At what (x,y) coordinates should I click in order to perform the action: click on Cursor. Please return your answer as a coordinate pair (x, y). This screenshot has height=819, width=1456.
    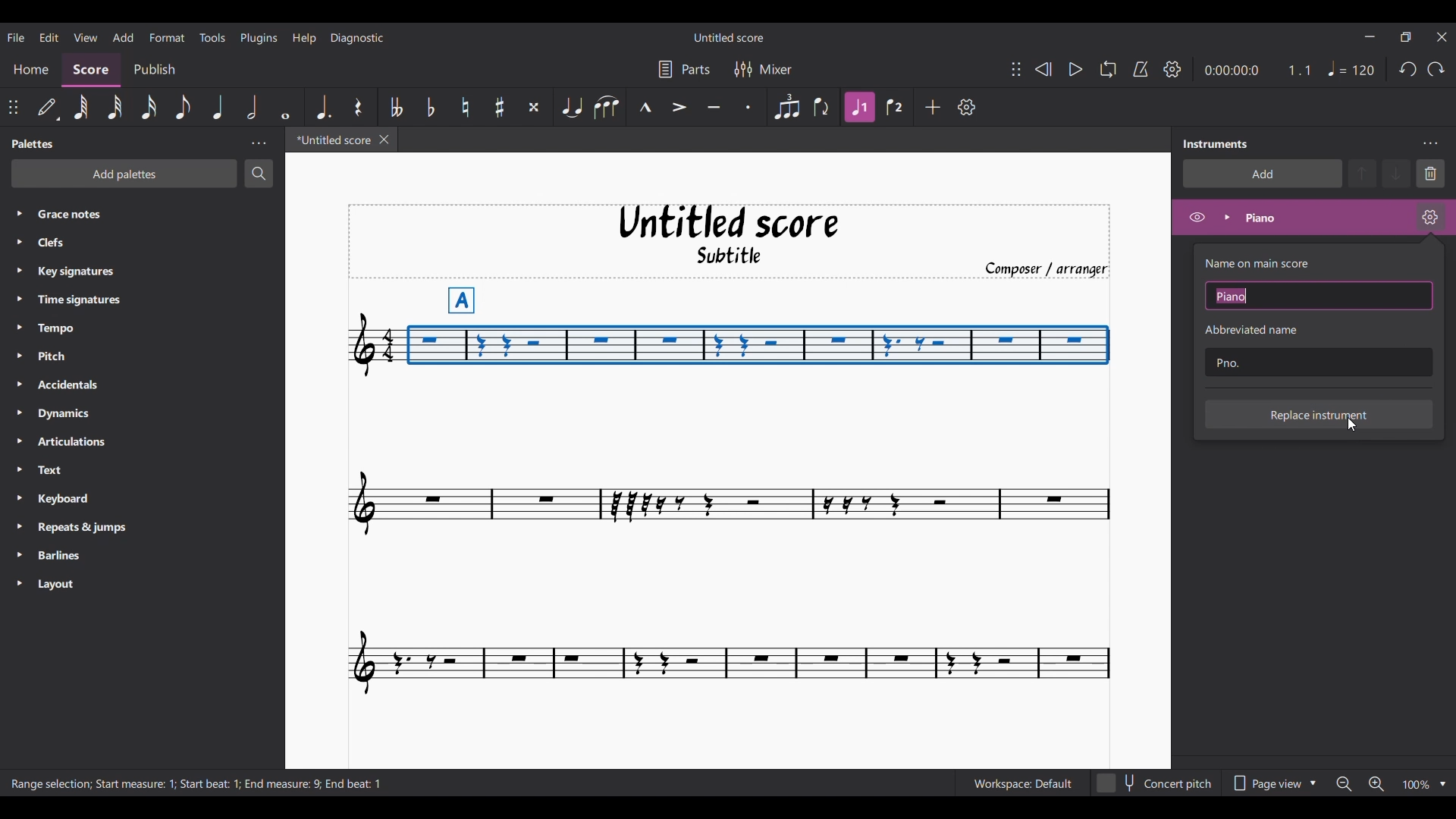
    Looking at the image, I should click on (1355, 424).